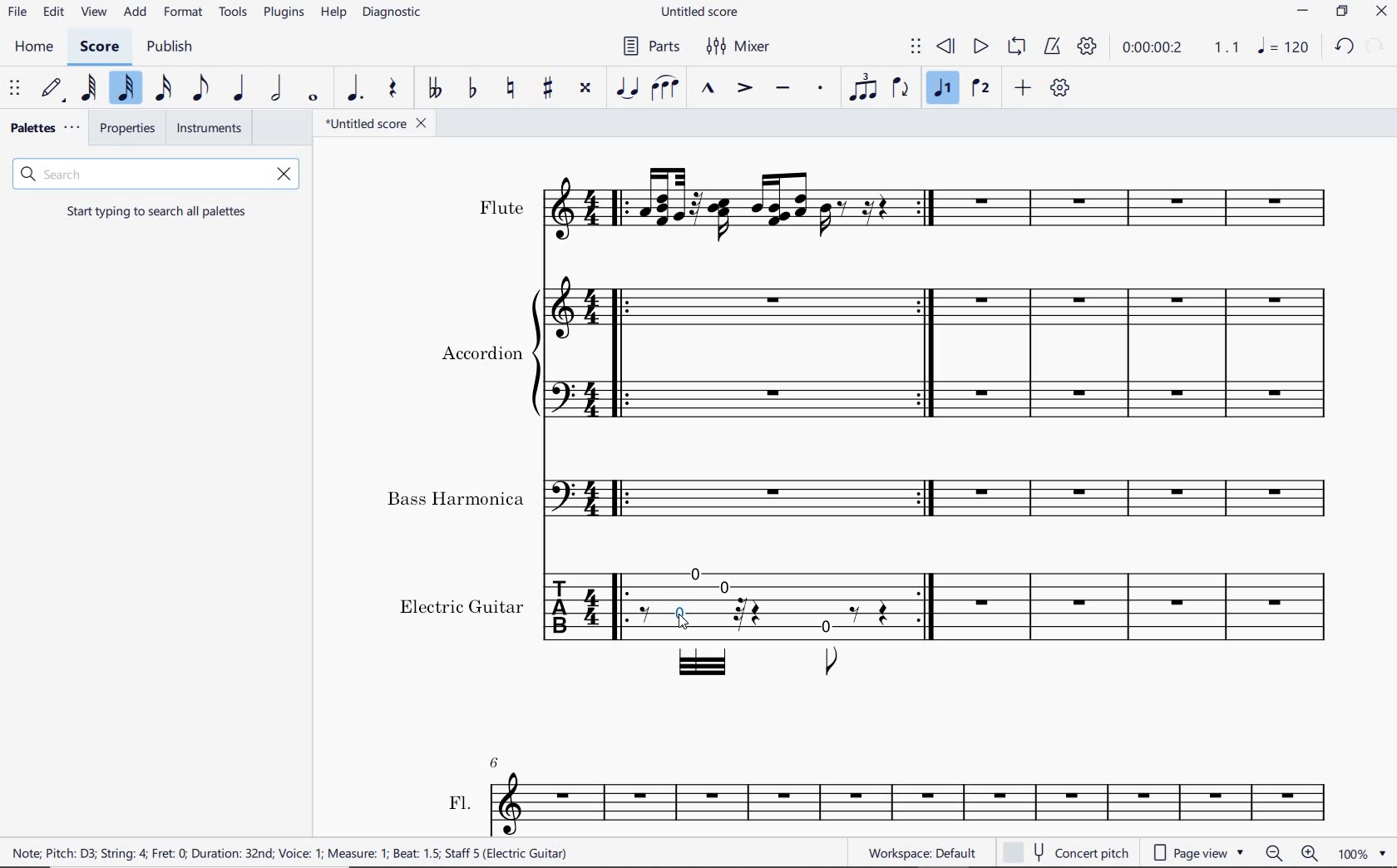 The image size is (1397, 868). What do you see at coordinates (652, 47) in the screenshot?
I see `parts` at bounding box center [652, 47].